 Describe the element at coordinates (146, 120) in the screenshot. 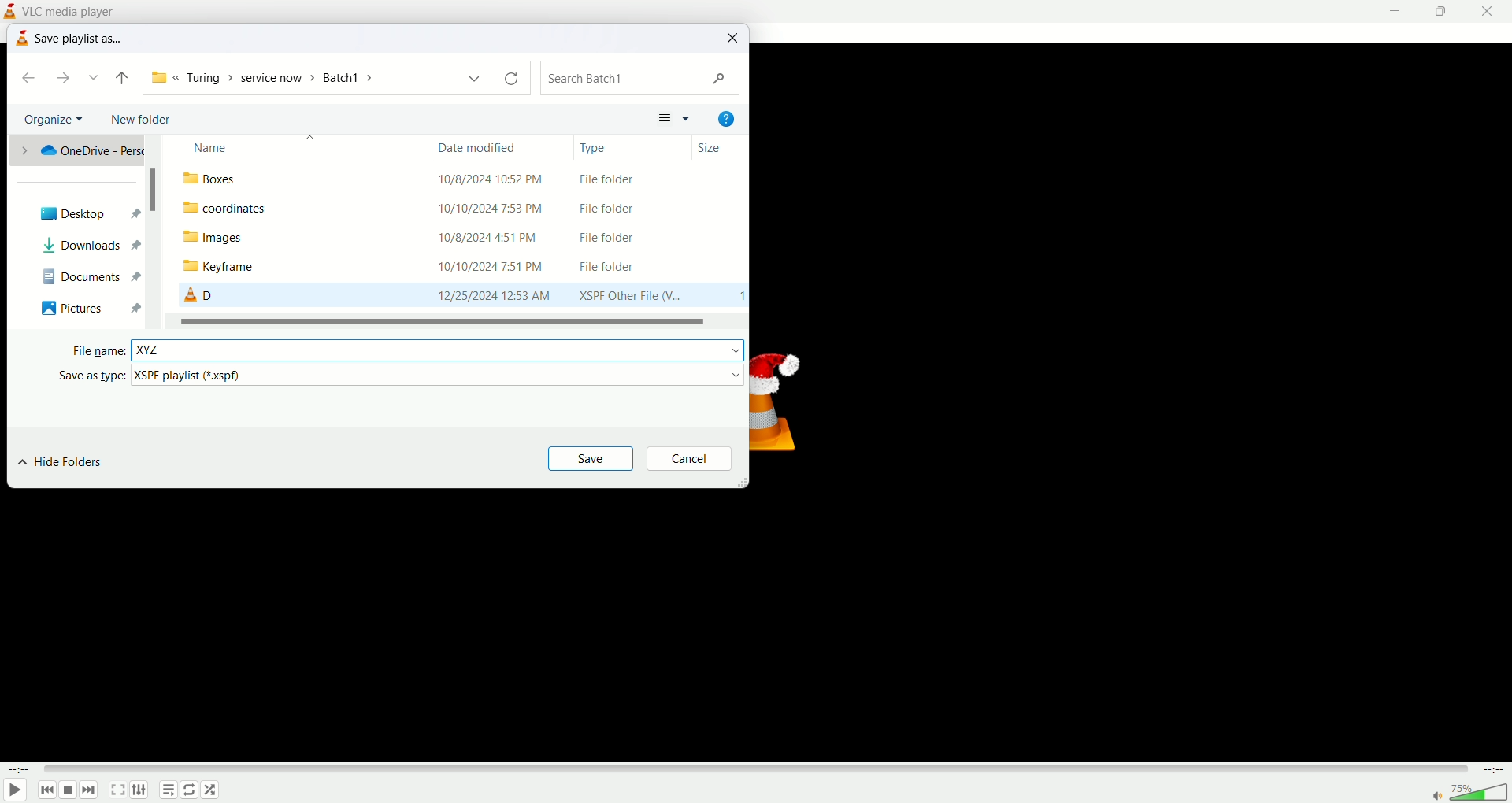

I see `newfolder` at that location.